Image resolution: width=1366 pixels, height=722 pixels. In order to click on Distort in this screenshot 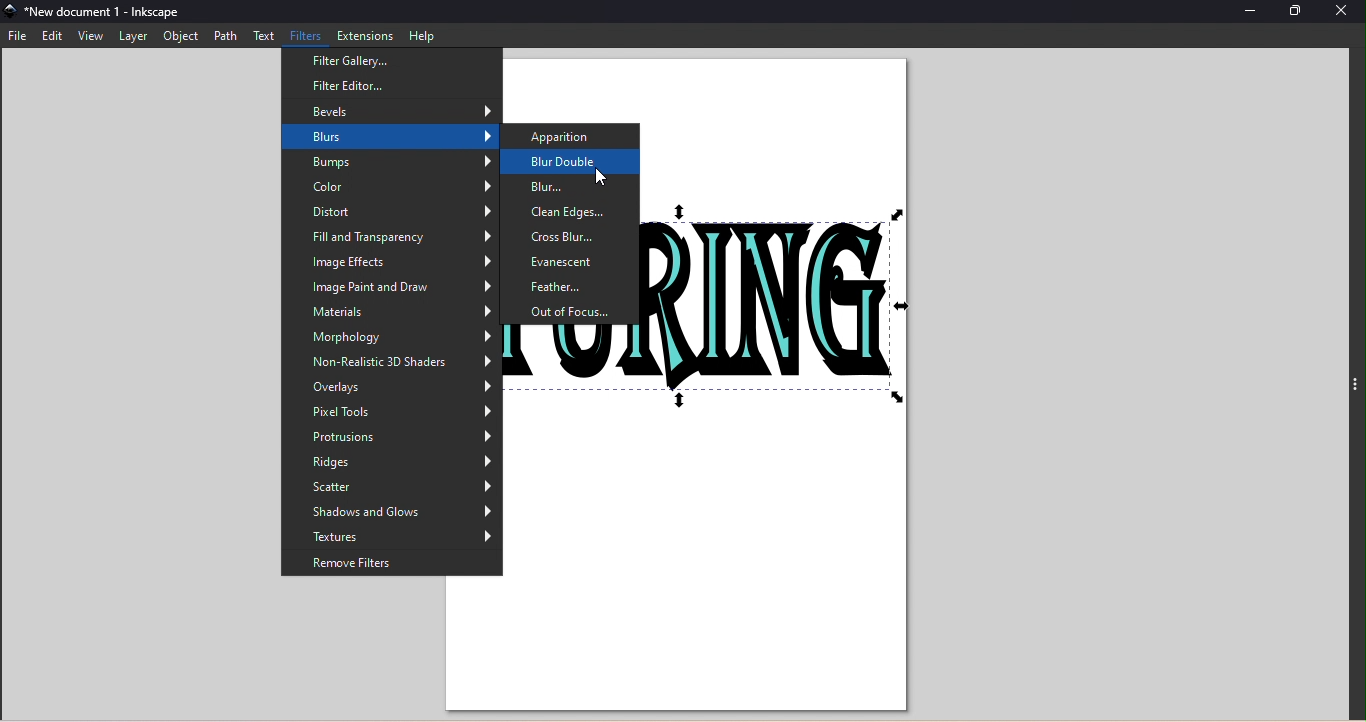, I will do `click(391, 212)`.